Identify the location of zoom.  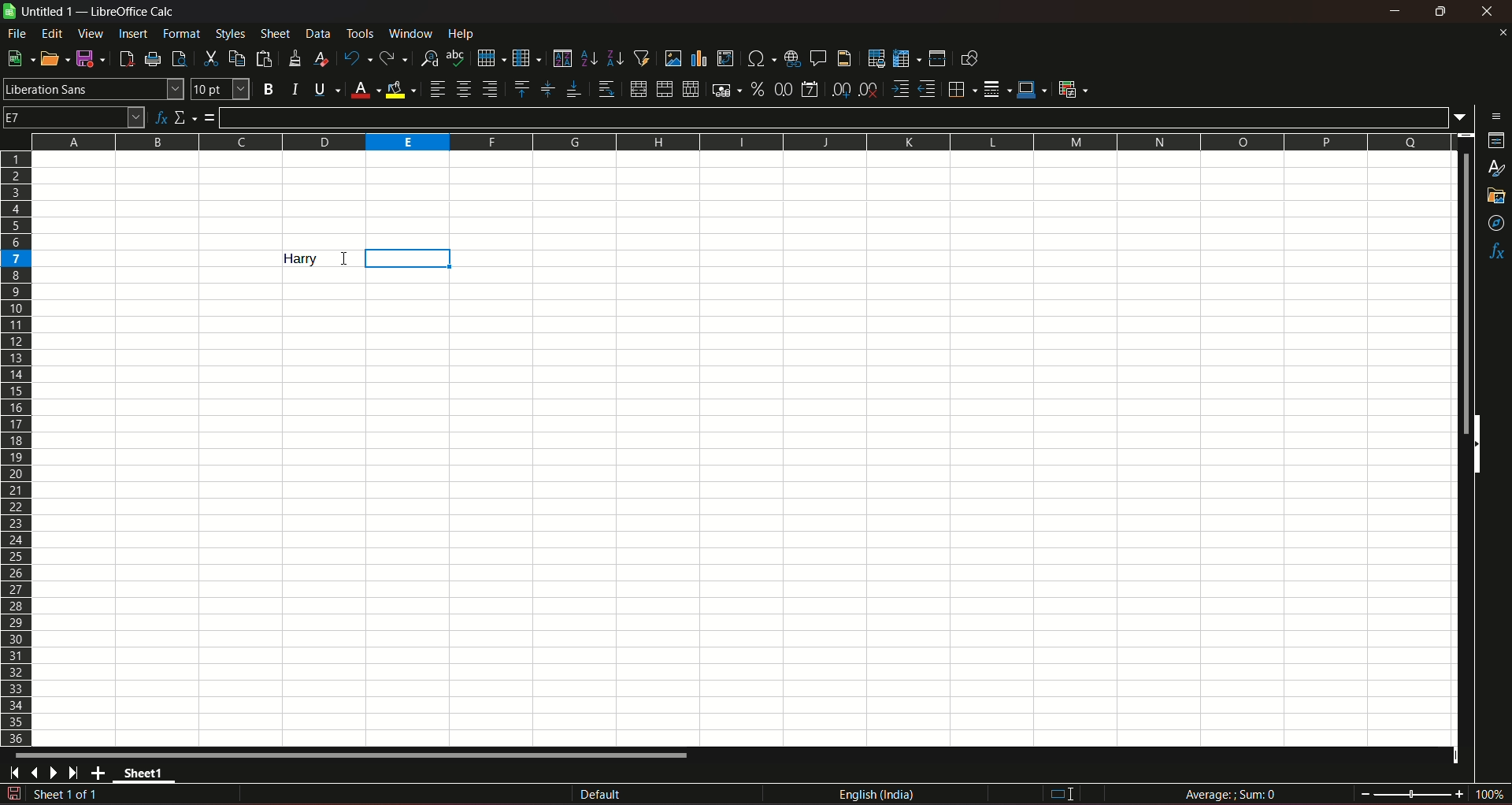
(1432, 792).